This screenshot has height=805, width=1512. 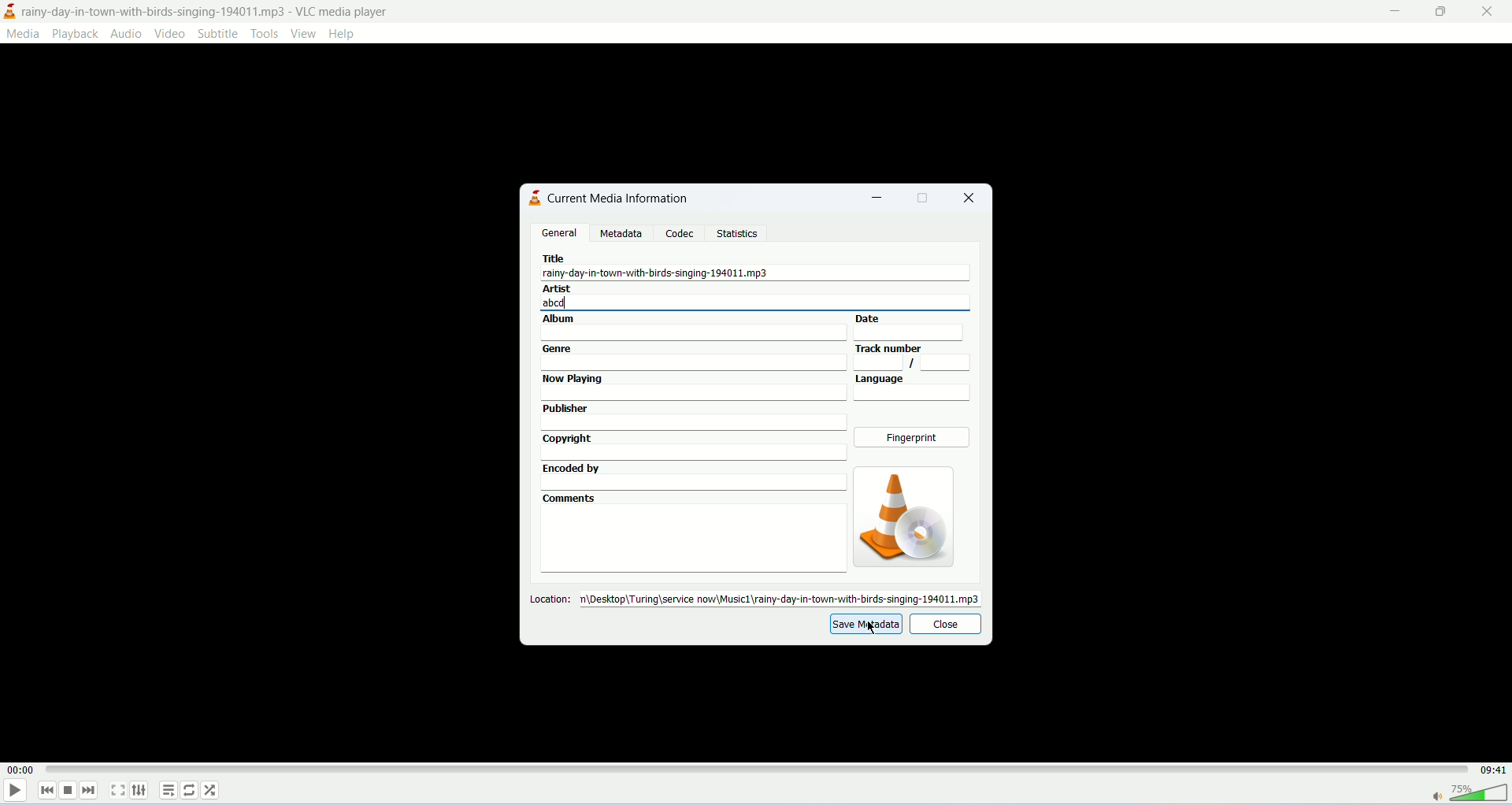 I want to click on album, so click(x=692, y=327).